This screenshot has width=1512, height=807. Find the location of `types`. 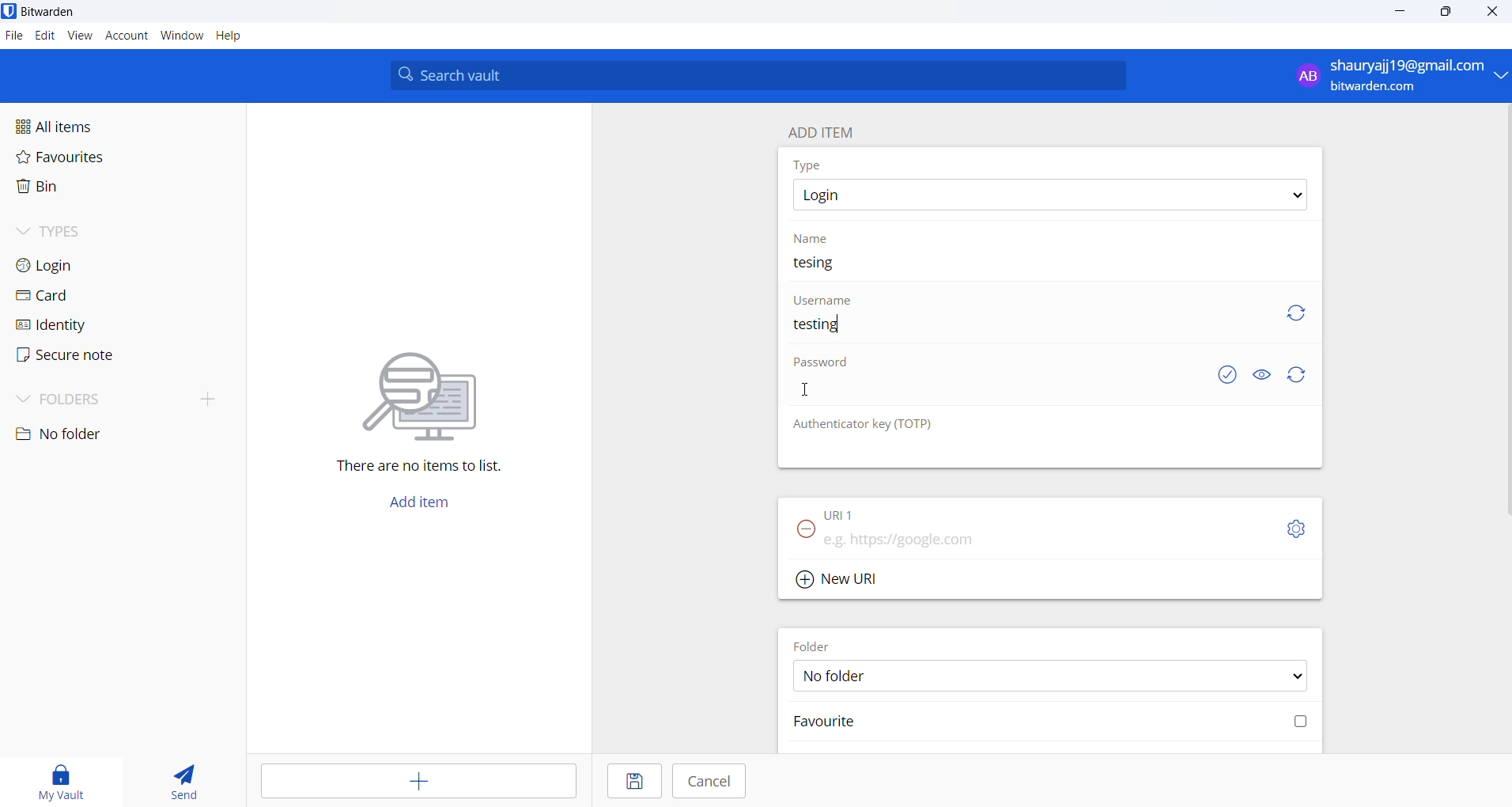

types is located at coordinates (98, 237).